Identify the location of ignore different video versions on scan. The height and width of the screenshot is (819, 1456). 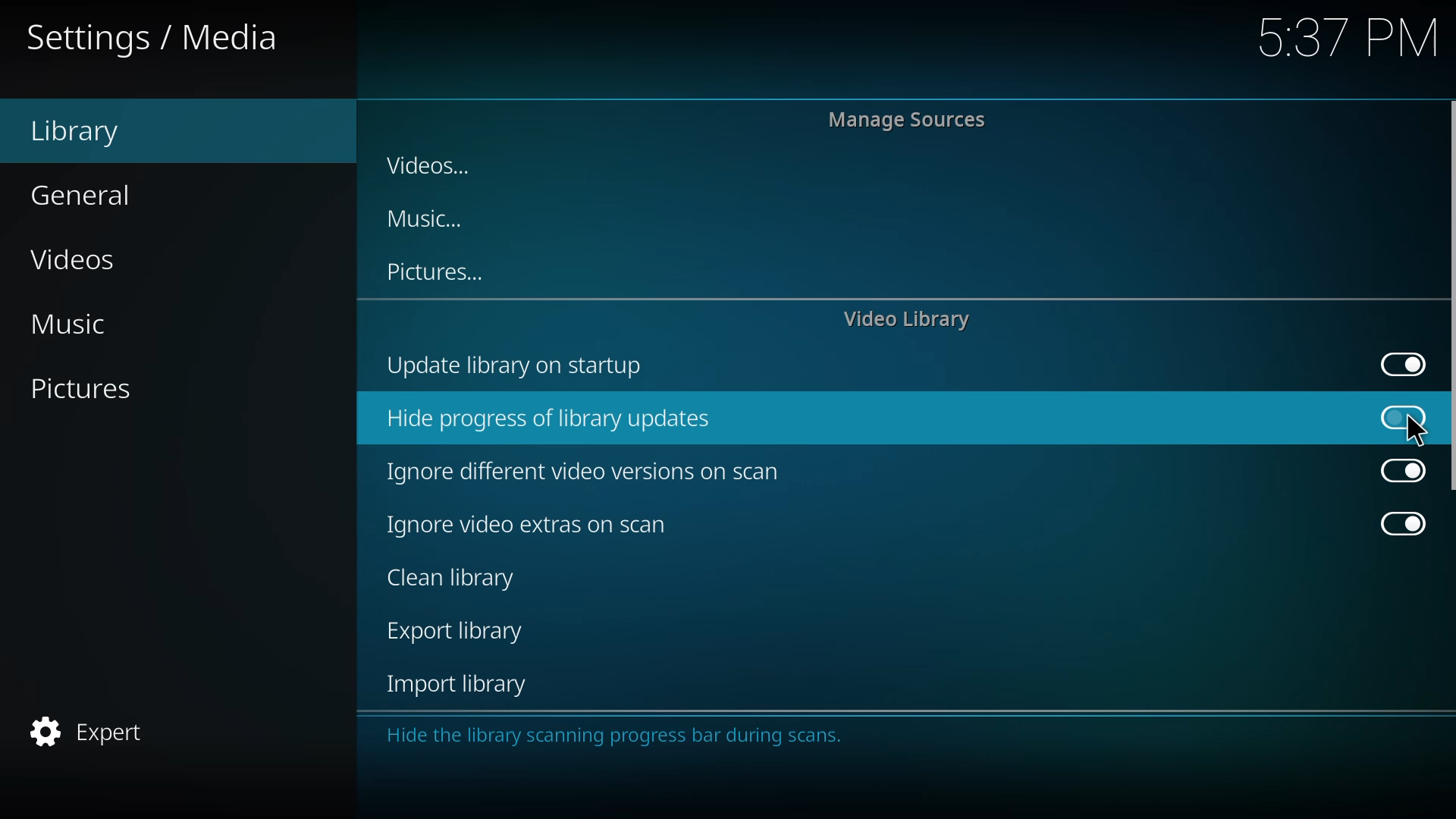
(589, 472).